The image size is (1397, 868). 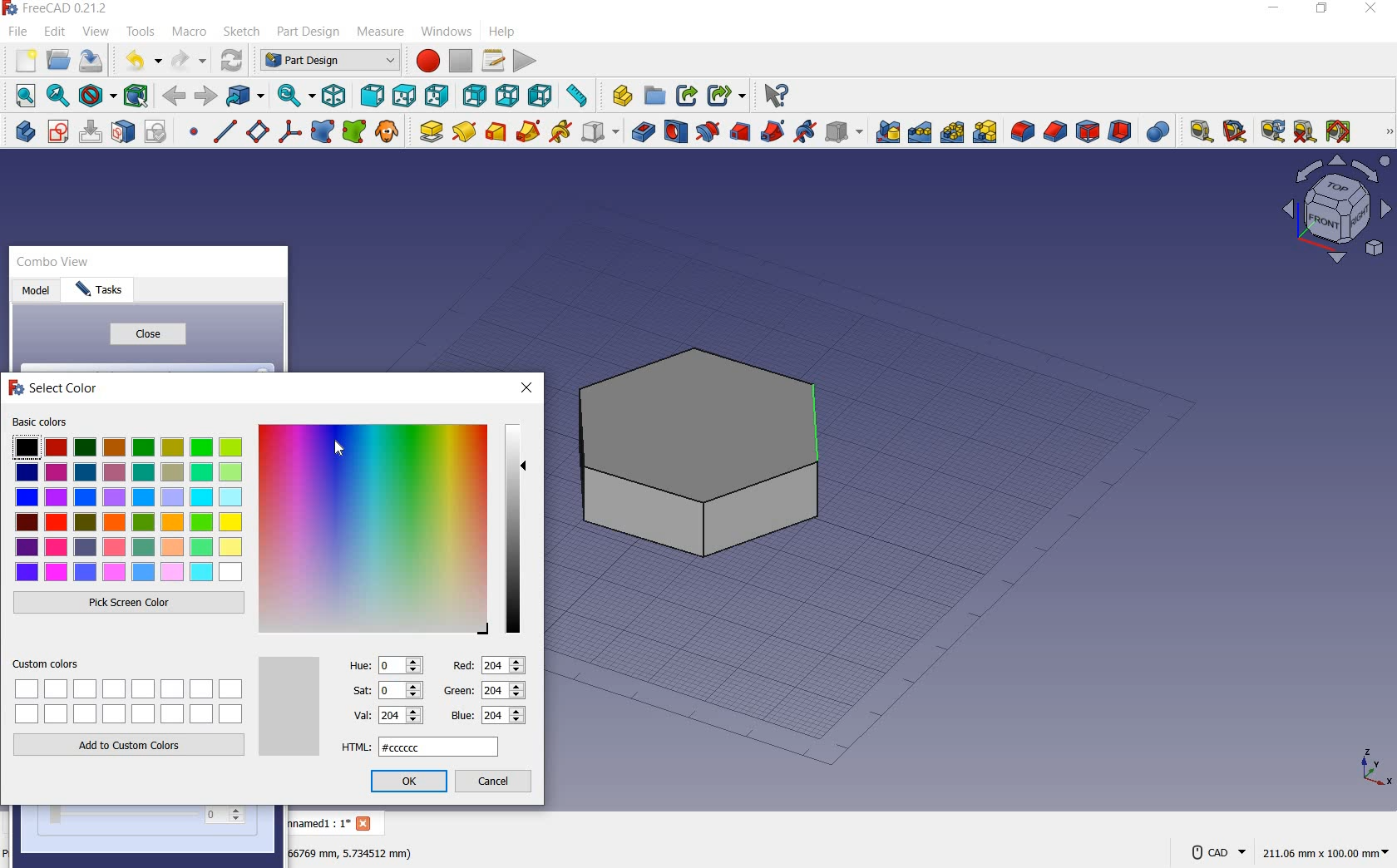 I want to click on what's this?, so click(x=775, y=96).